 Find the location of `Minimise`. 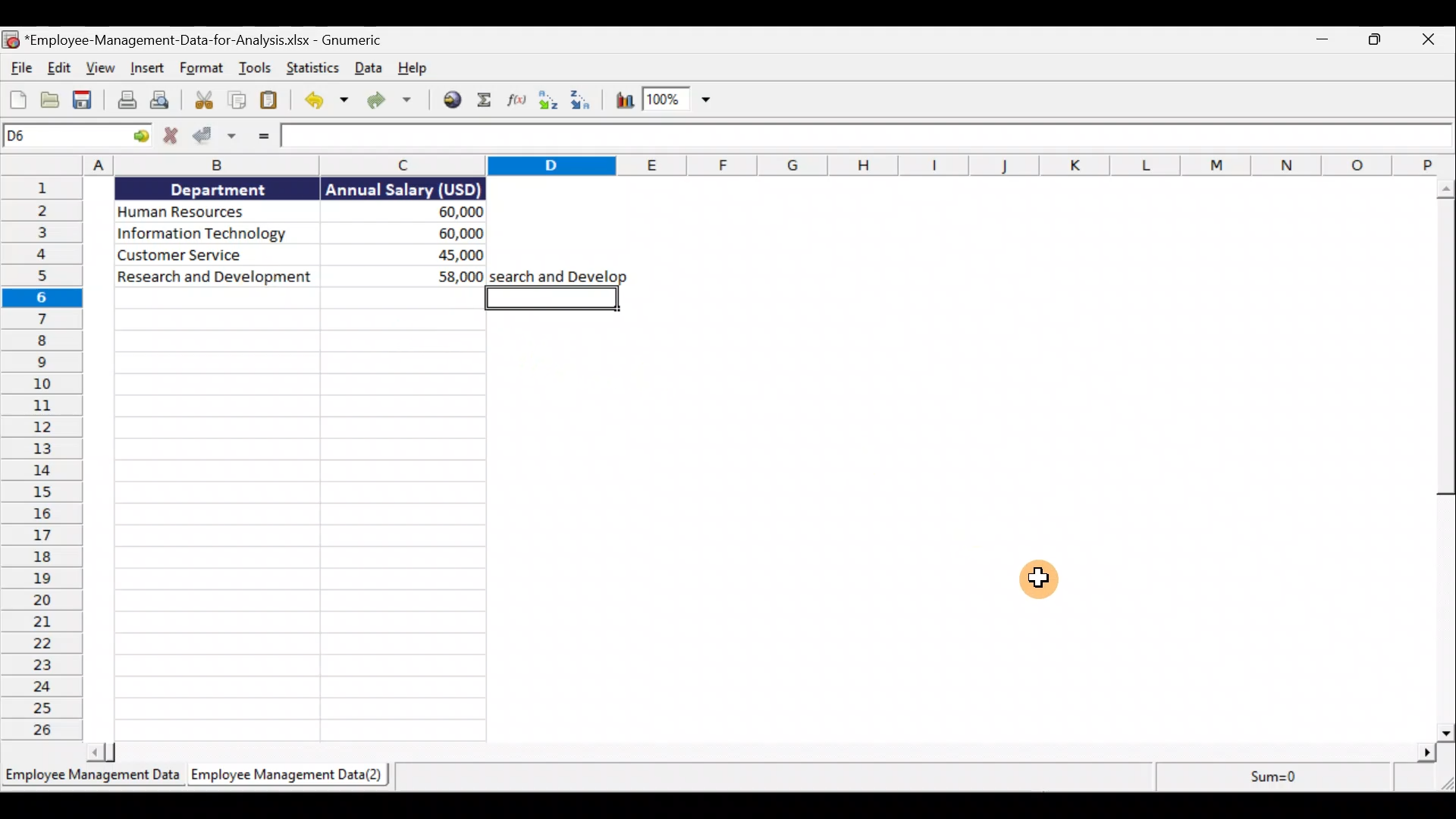

Minimise is located at coordinates (1326, 42).